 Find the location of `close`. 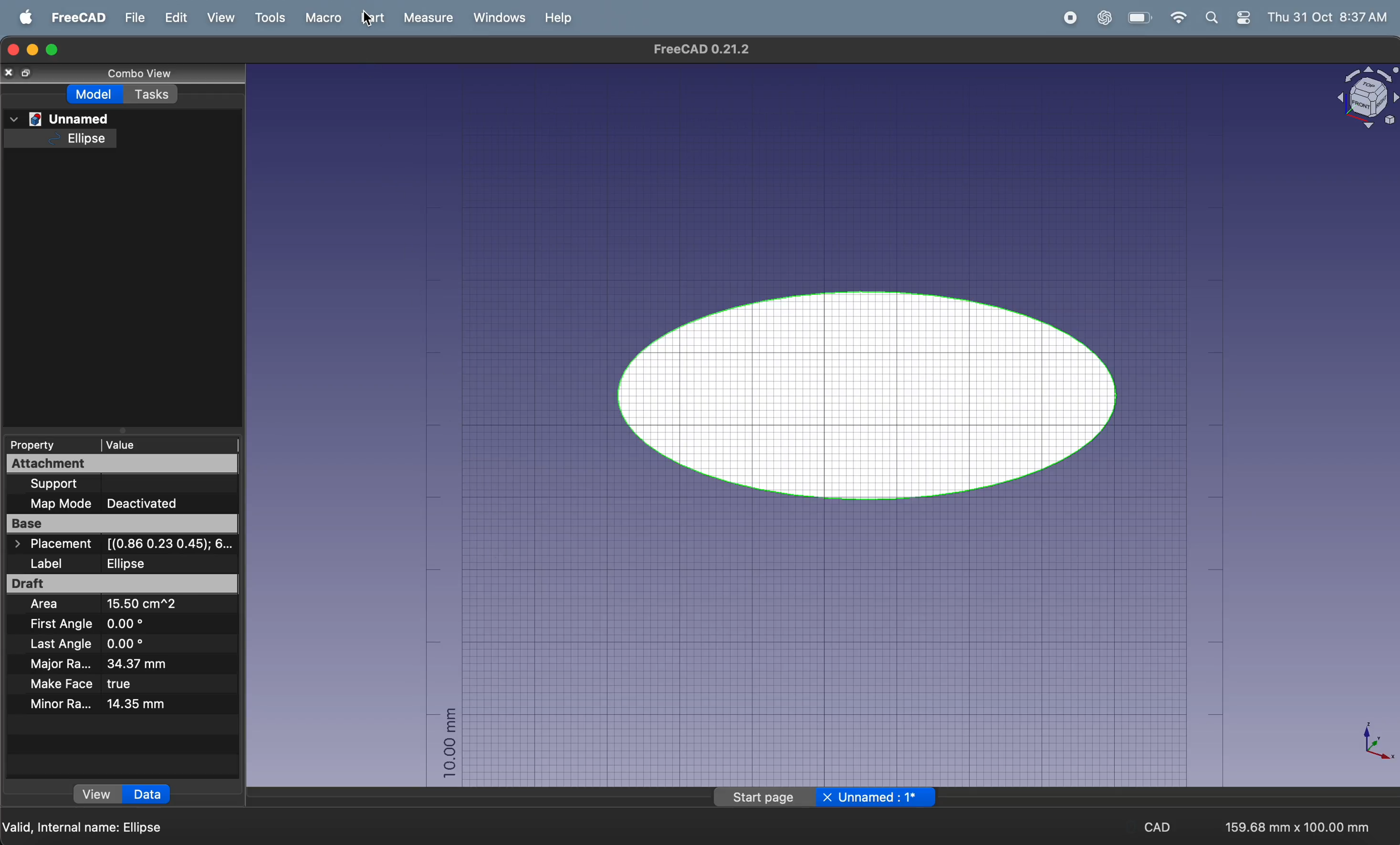

close is located at coordinates (19, 73).